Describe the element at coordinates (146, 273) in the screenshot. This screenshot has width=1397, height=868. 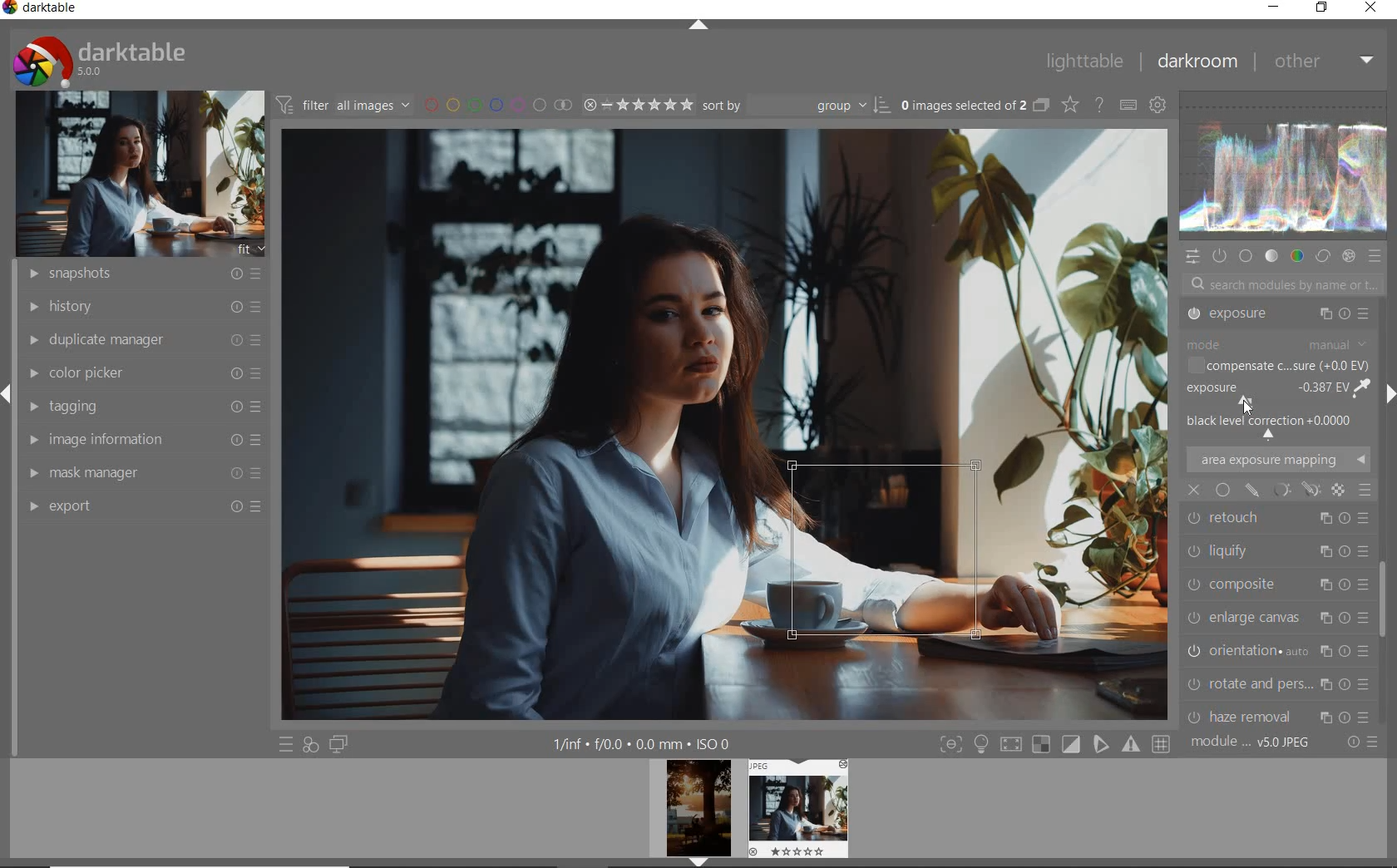
I see `SNAPSHOTS` at that location.